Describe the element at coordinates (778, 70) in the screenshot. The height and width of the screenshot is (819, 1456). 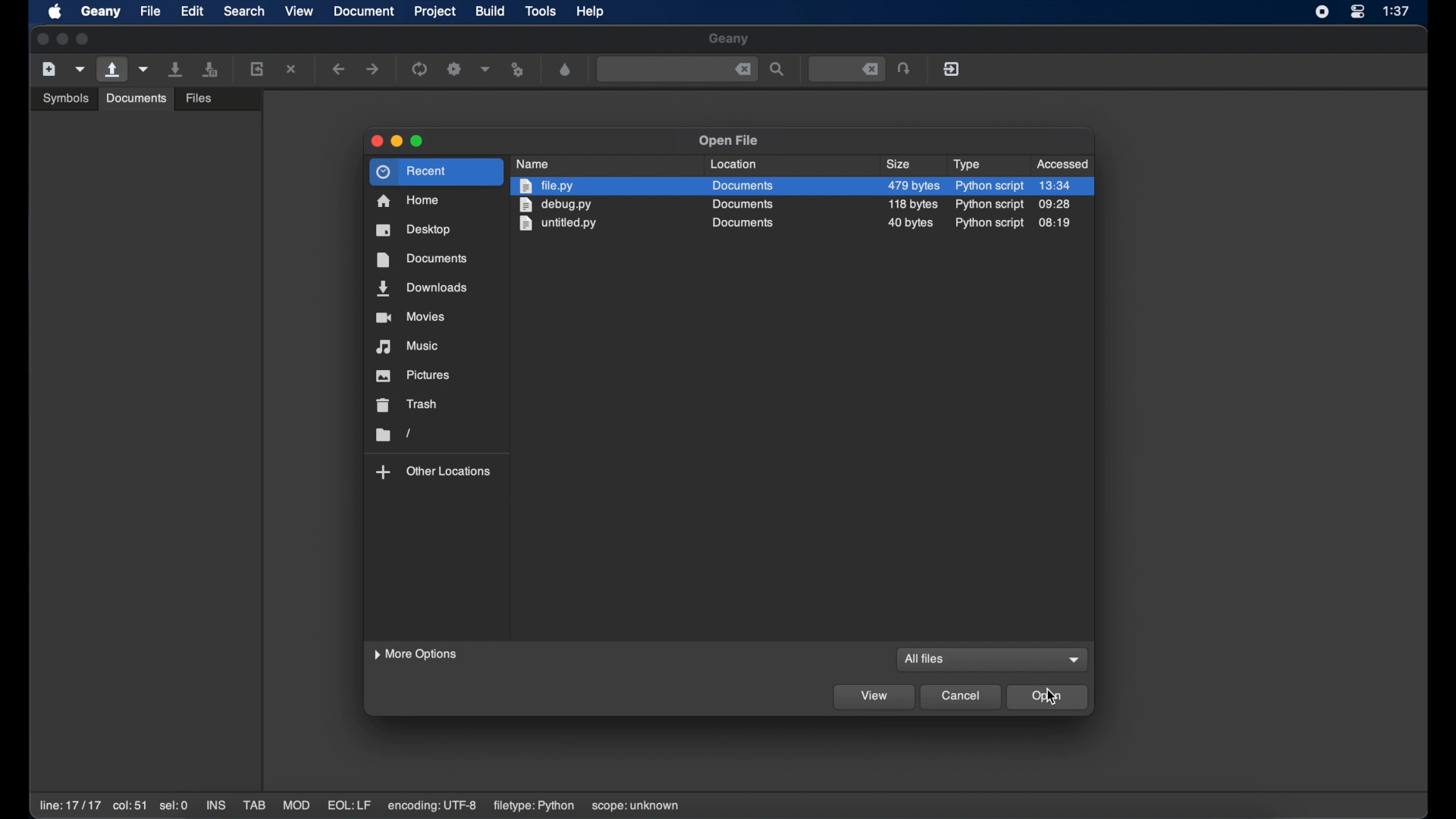
I see `find the entered text in the current file` at that location.